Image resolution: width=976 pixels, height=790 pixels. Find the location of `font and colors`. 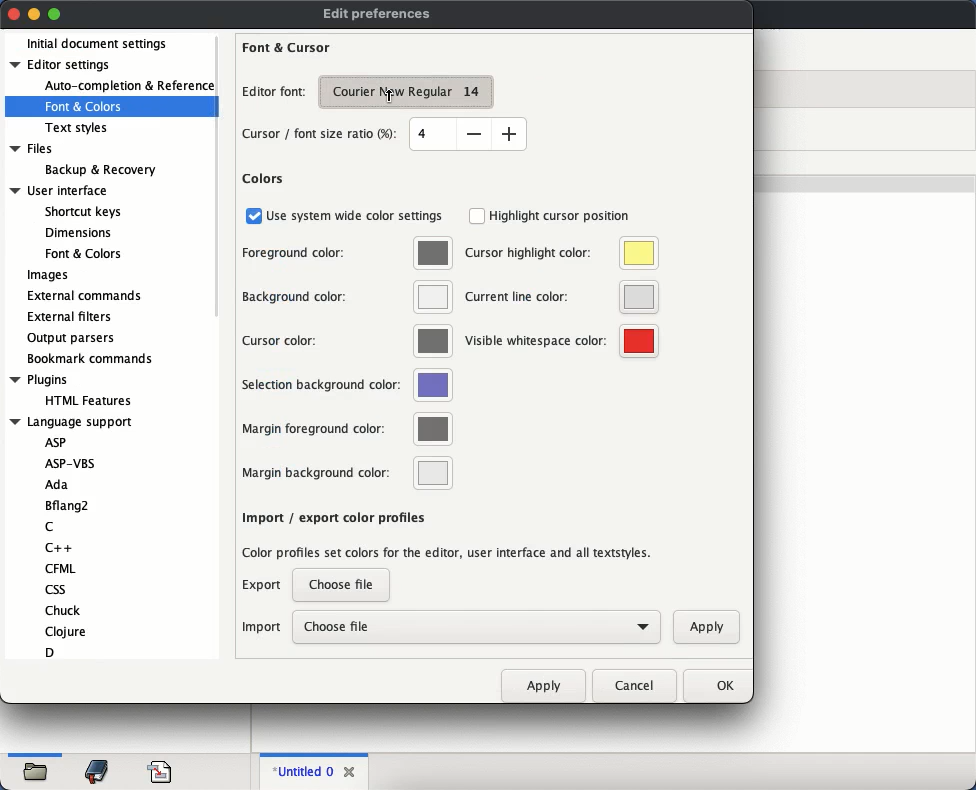

font and colors is located at coordinates (85, 107).